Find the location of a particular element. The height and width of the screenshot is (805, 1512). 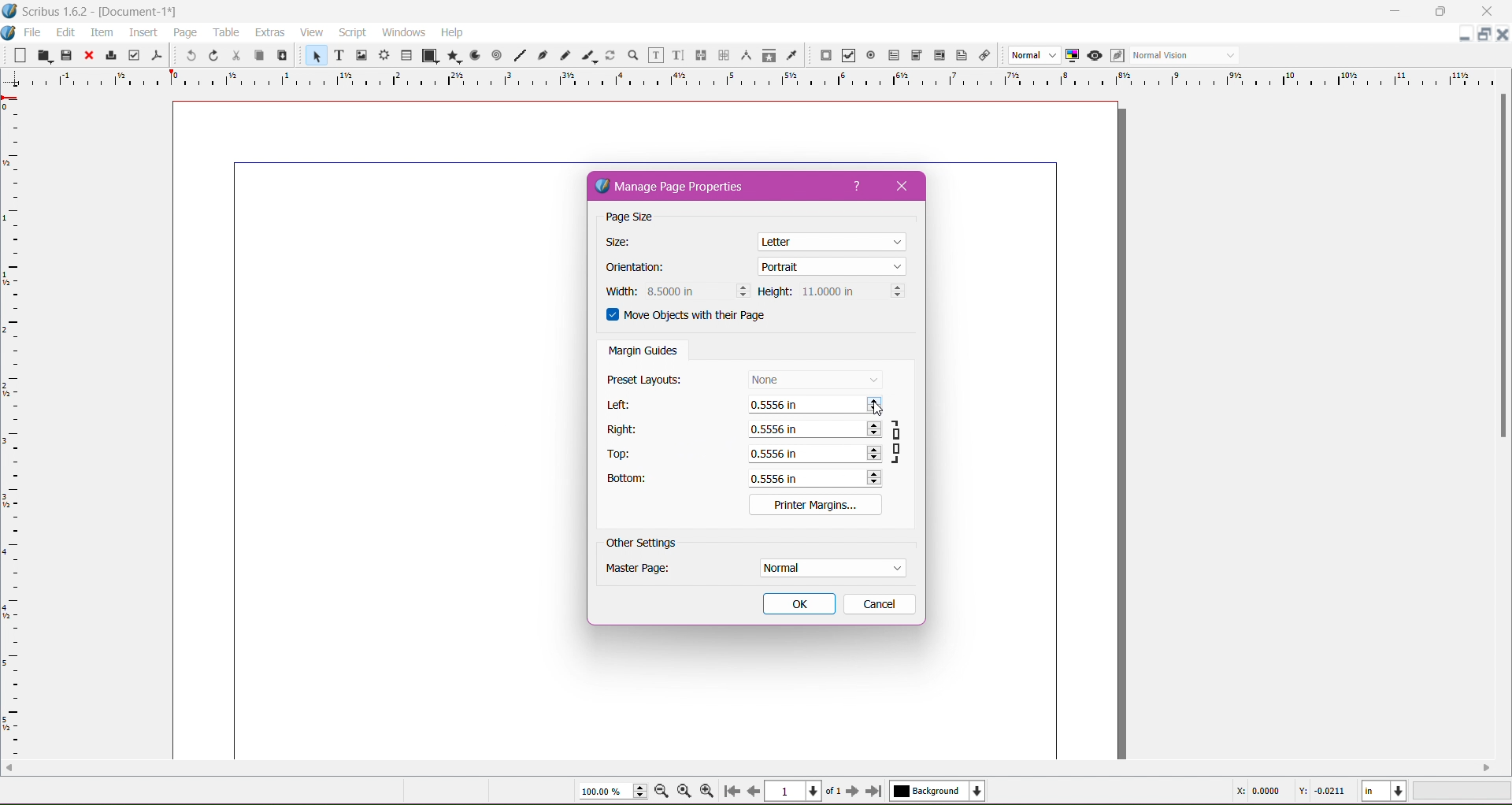

Bottom is located at coordinates (636, 480).